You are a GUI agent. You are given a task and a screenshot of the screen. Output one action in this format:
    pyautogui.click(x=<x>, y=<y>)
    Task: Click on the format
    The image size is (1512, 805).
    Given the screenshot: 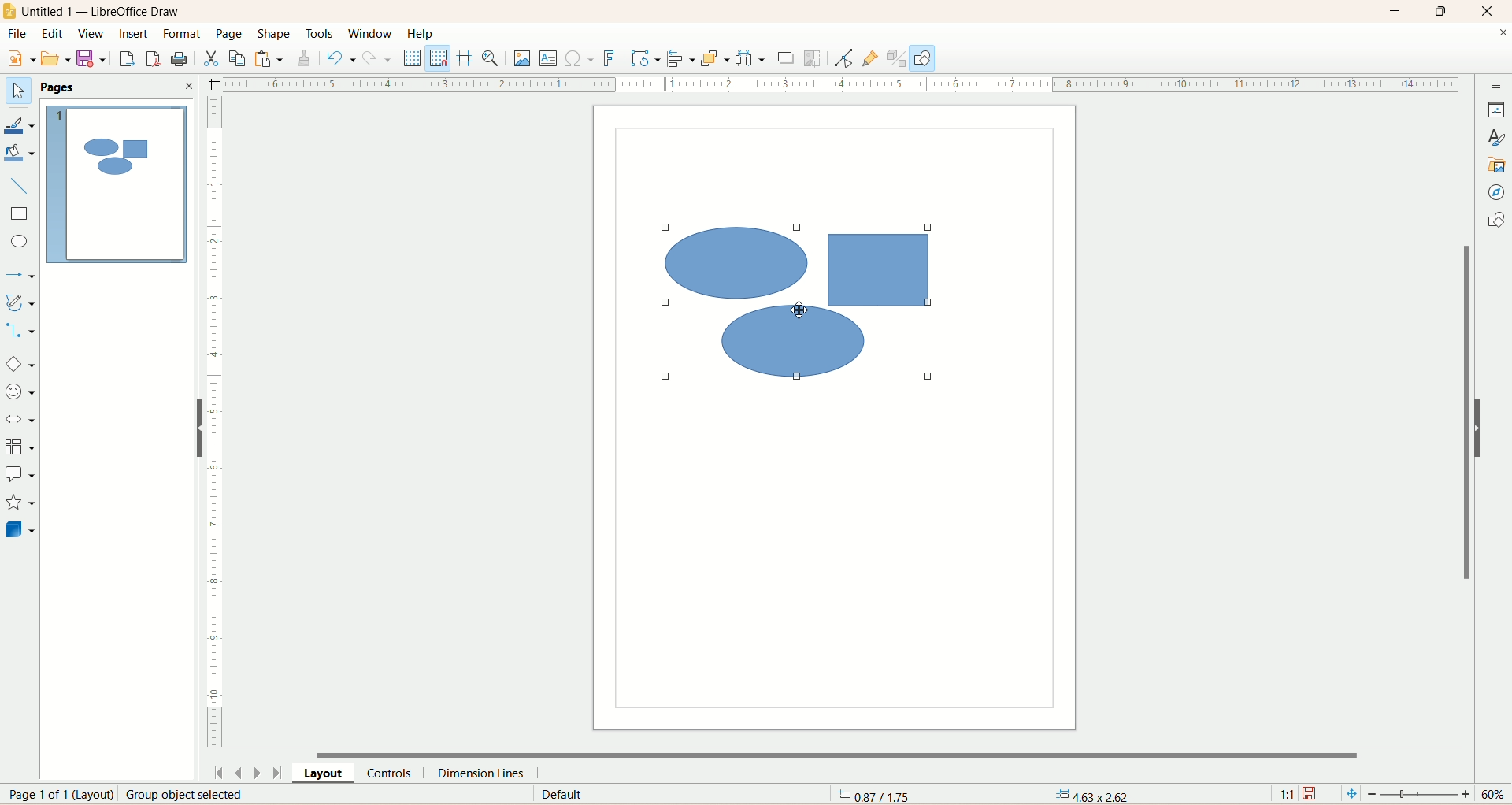 What is the action you would take?
    pyautogui.click(x=183, y=35)
    